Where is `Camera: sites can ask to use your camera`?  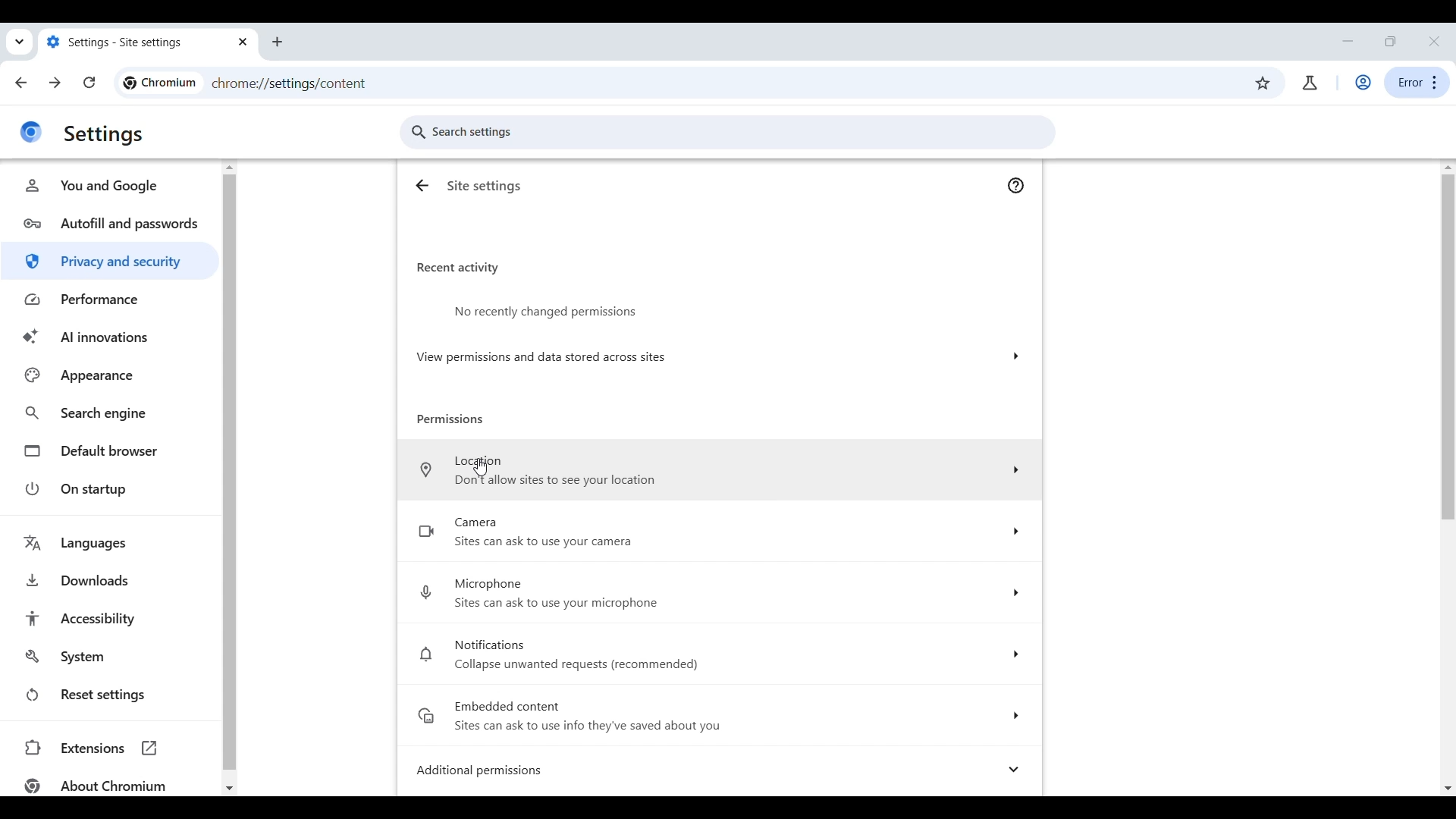 Camera: sites can ask to use your camera is located at coordinates (717, 533).